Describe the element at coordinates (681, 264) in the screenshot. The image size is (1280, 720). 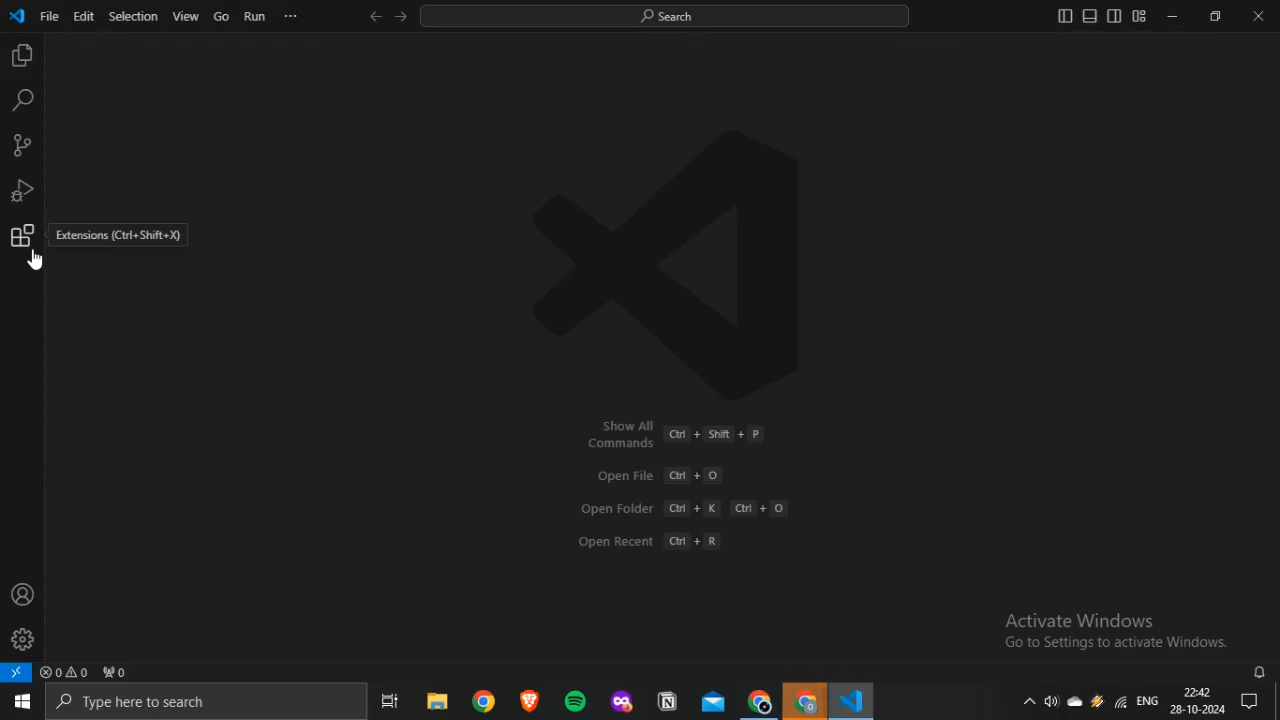
I see `VScode logo` at that location.